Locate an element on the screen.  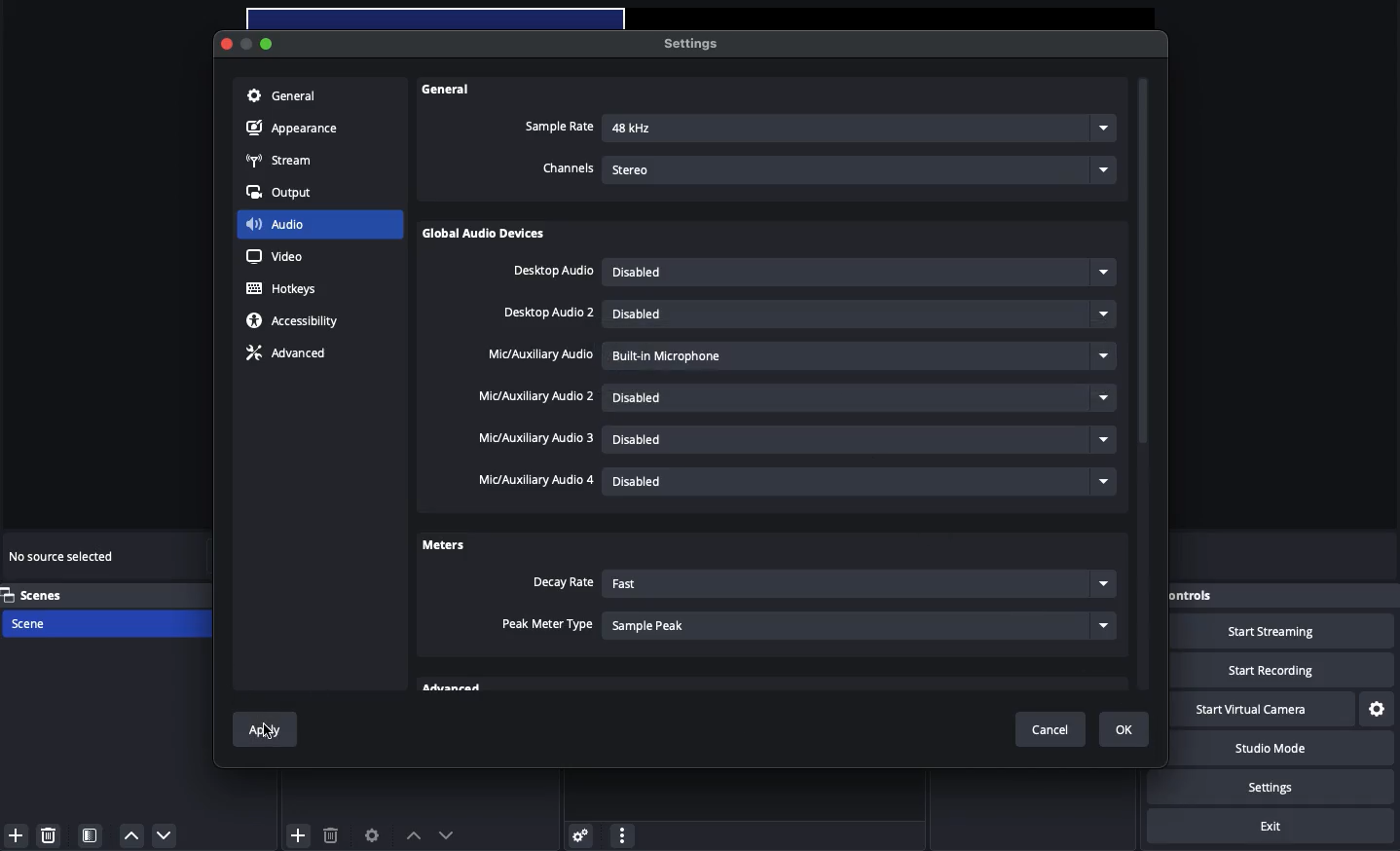
Decay rate is located at coordinates (562, 583).